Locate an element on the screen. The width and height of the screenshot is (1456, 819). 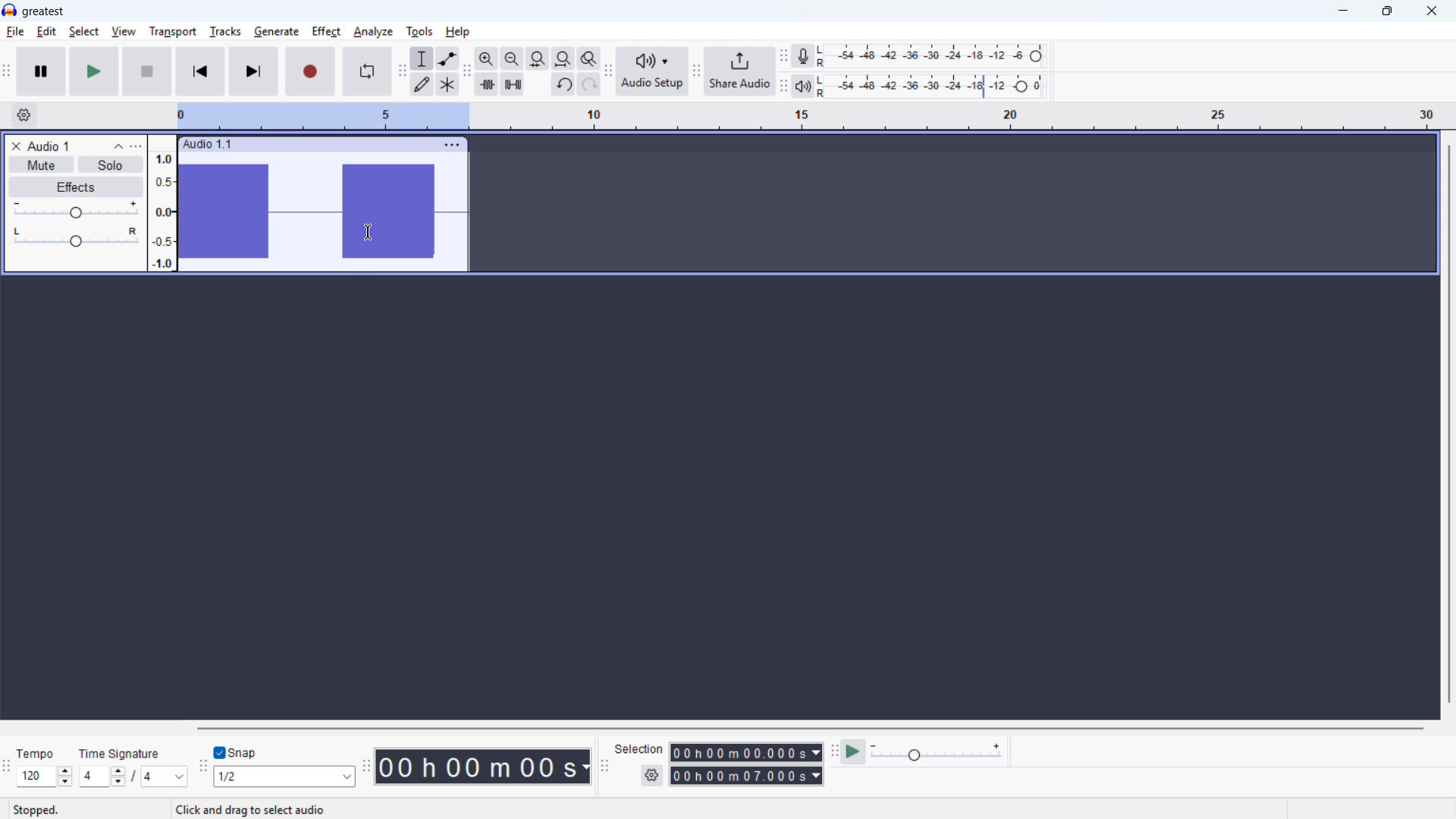
Zoom in  is located at coordinates (487, 58).